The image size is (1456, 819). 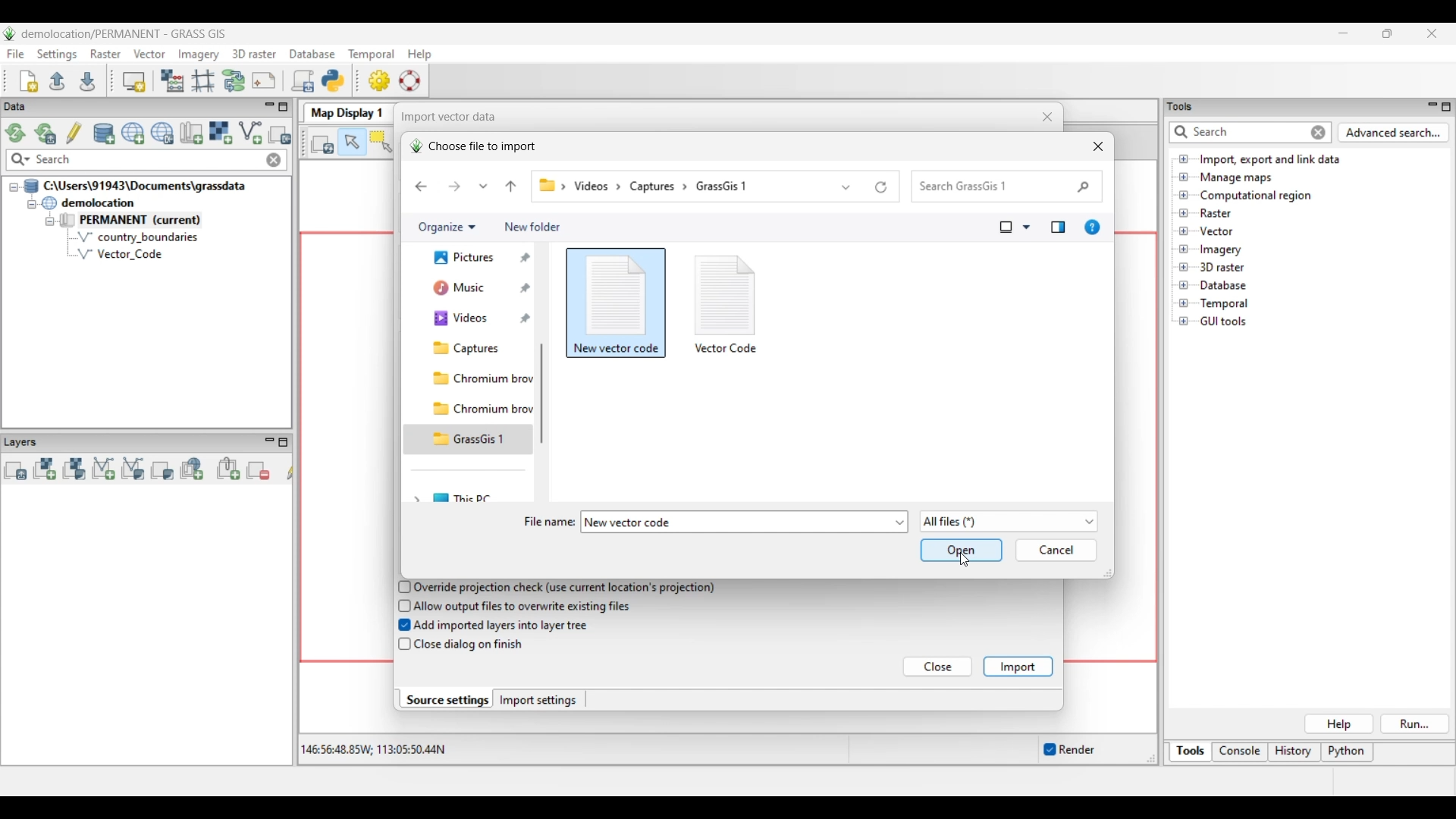 What do you see at coordinates (400, 626) in the screenshot?
I see `checkbox` at bounding box center [400, 626].